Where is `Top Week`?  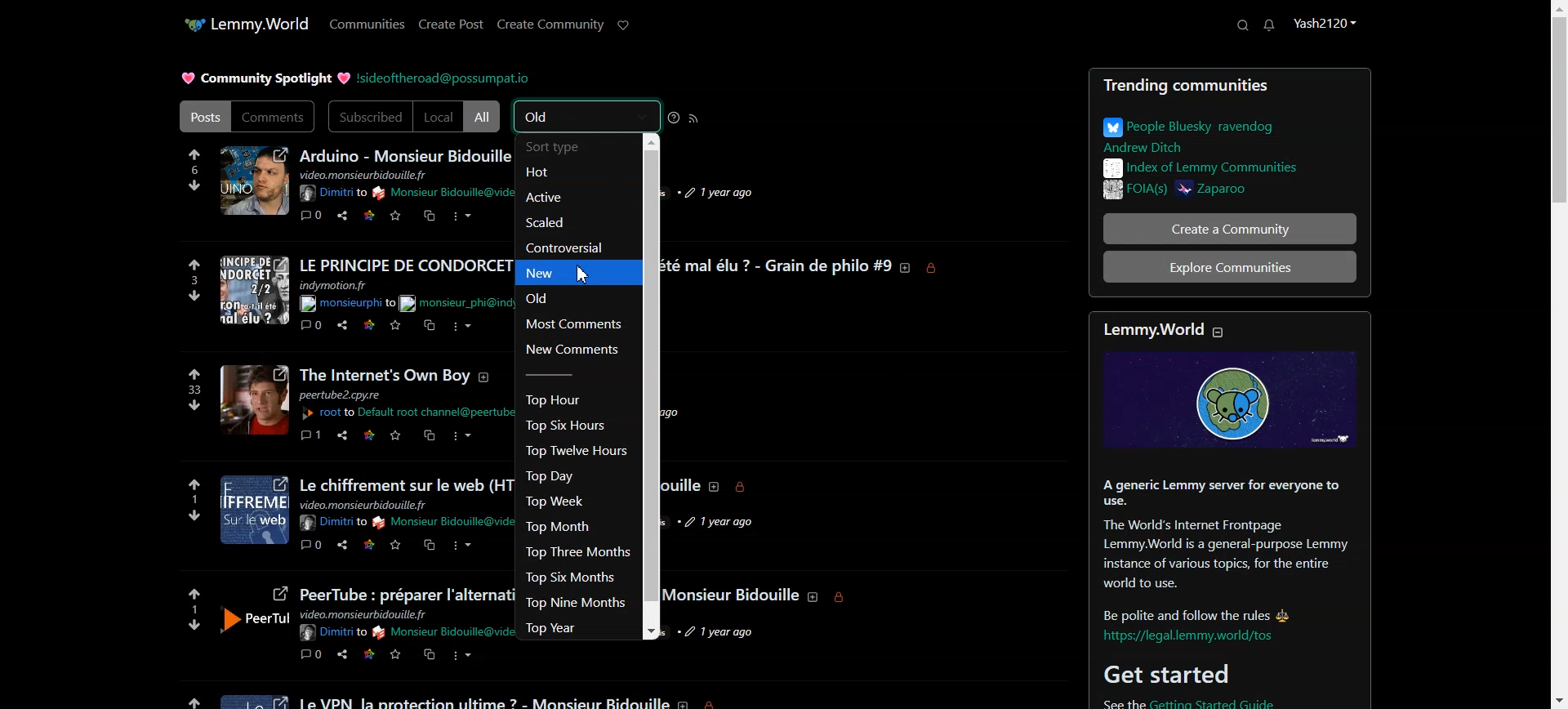 Top Week is located at coordinates (557, 501).